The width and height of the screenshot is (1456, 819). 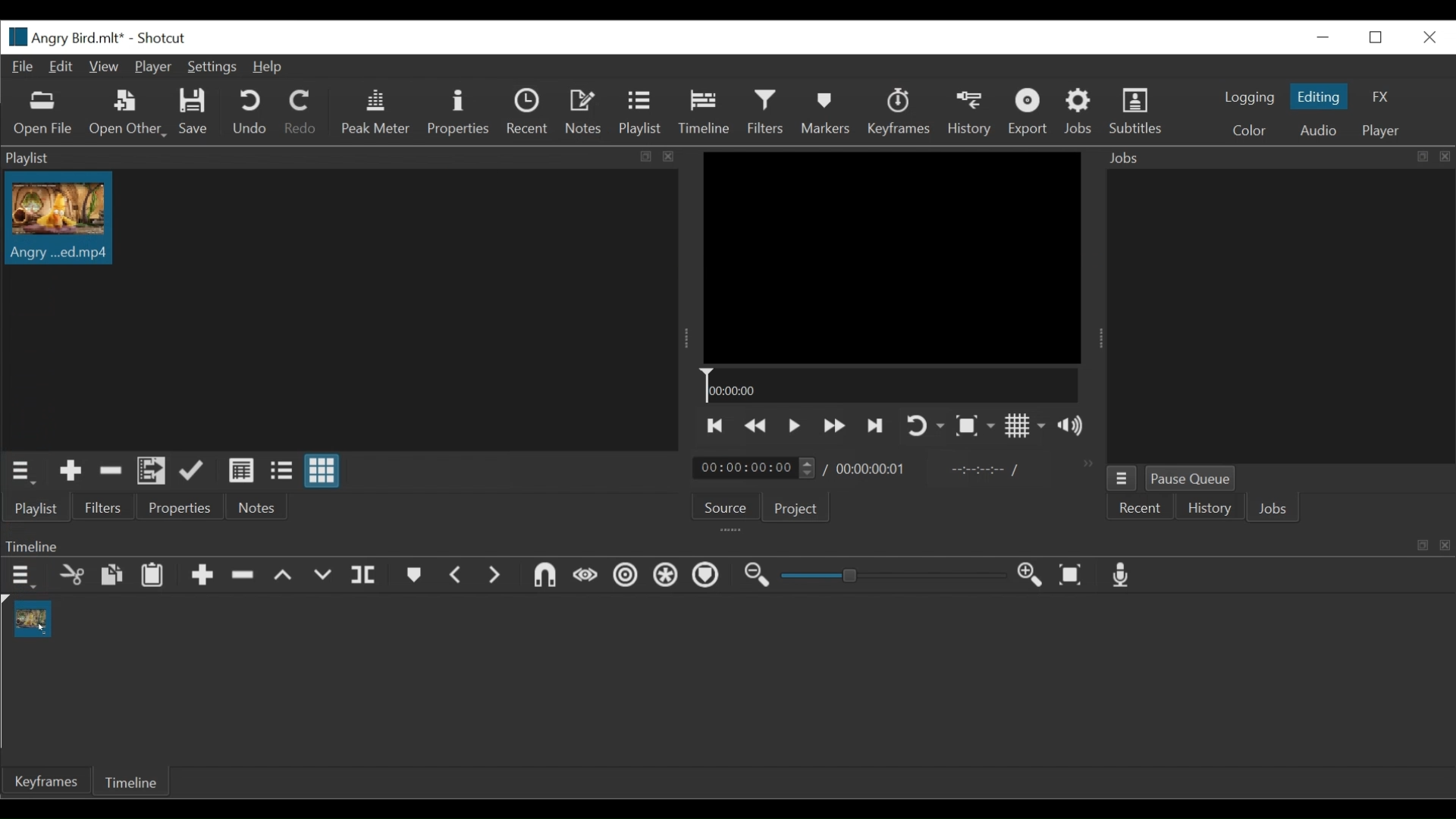 What do you see at coordinates (129, 781) in the screenshot?
I see `Timeline` at bounding box center [129, 781].